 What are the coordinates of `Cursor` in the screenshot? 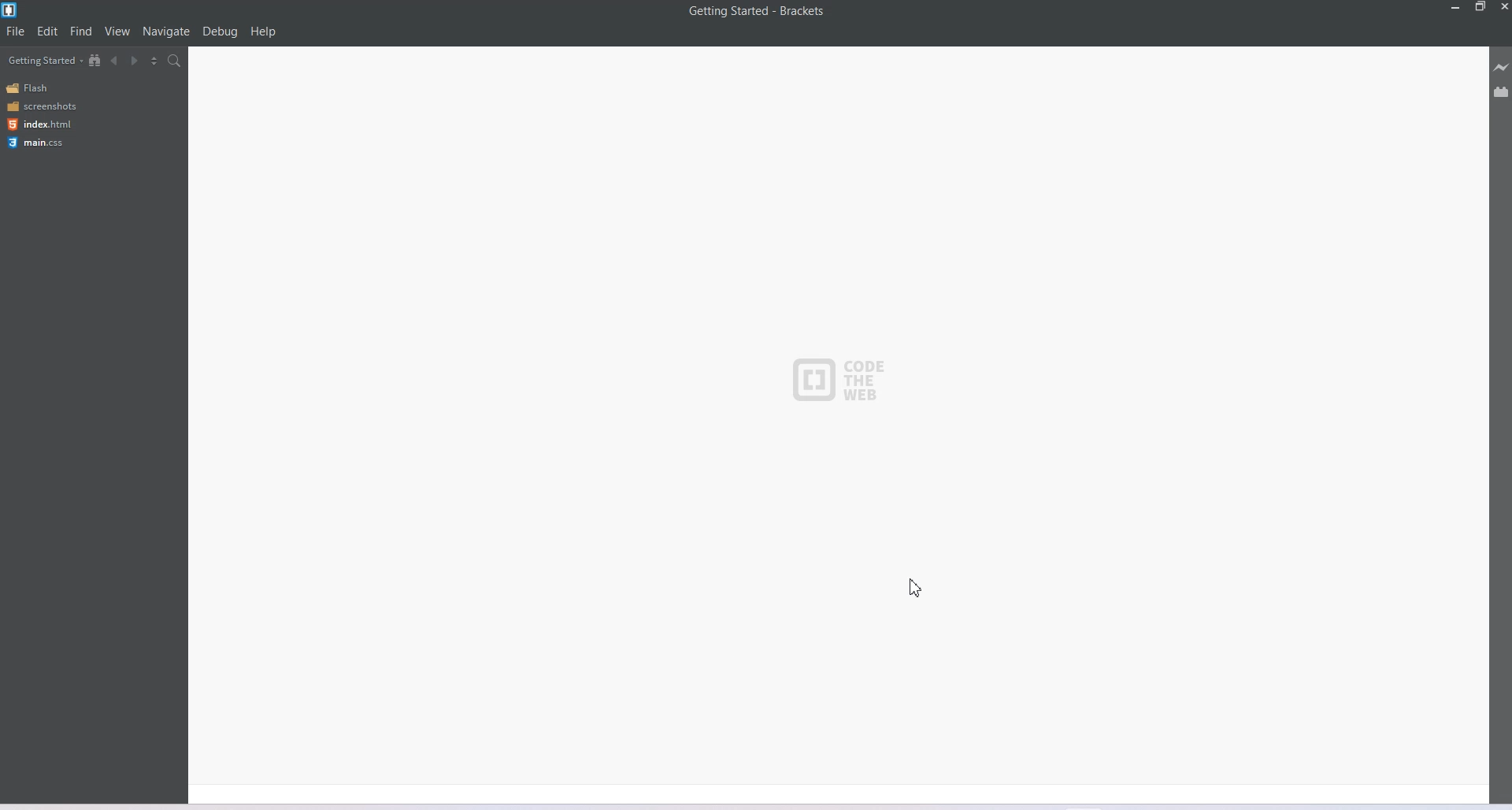 It's located at (918, 586).